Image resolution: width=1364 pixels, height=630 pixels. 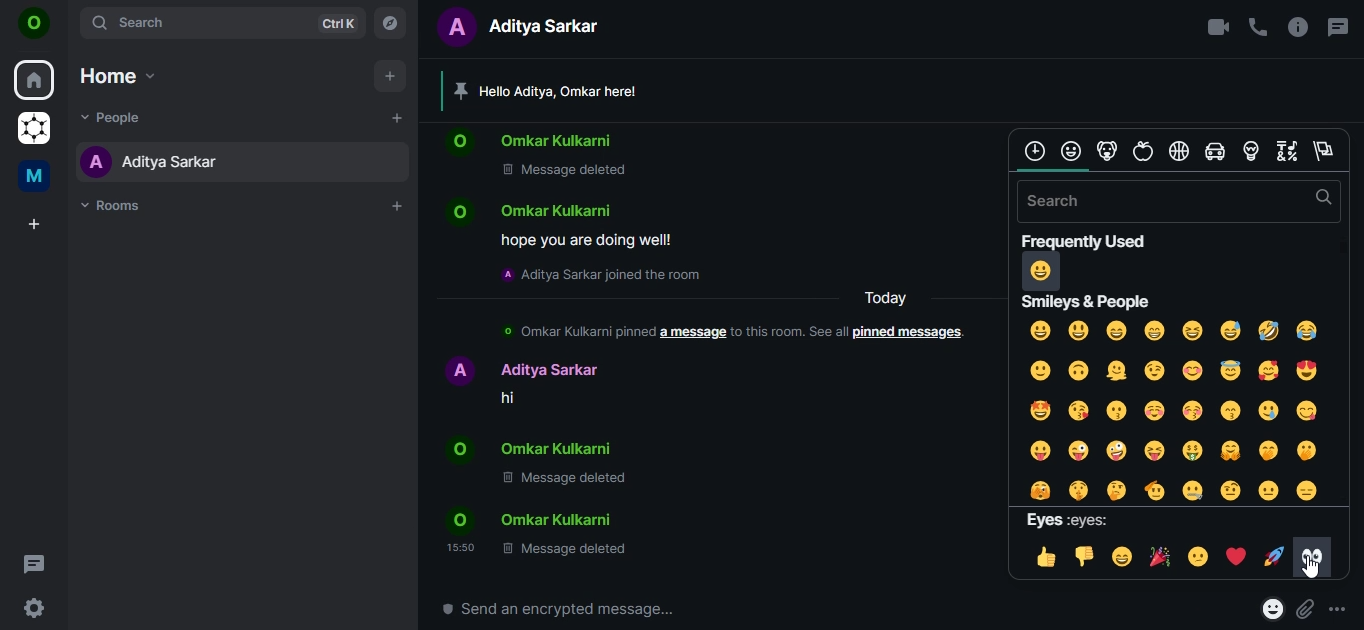 What do you see at coordinates (396, 120) in the screenshot?
I see `start chat` at bounding box center [396, 120].